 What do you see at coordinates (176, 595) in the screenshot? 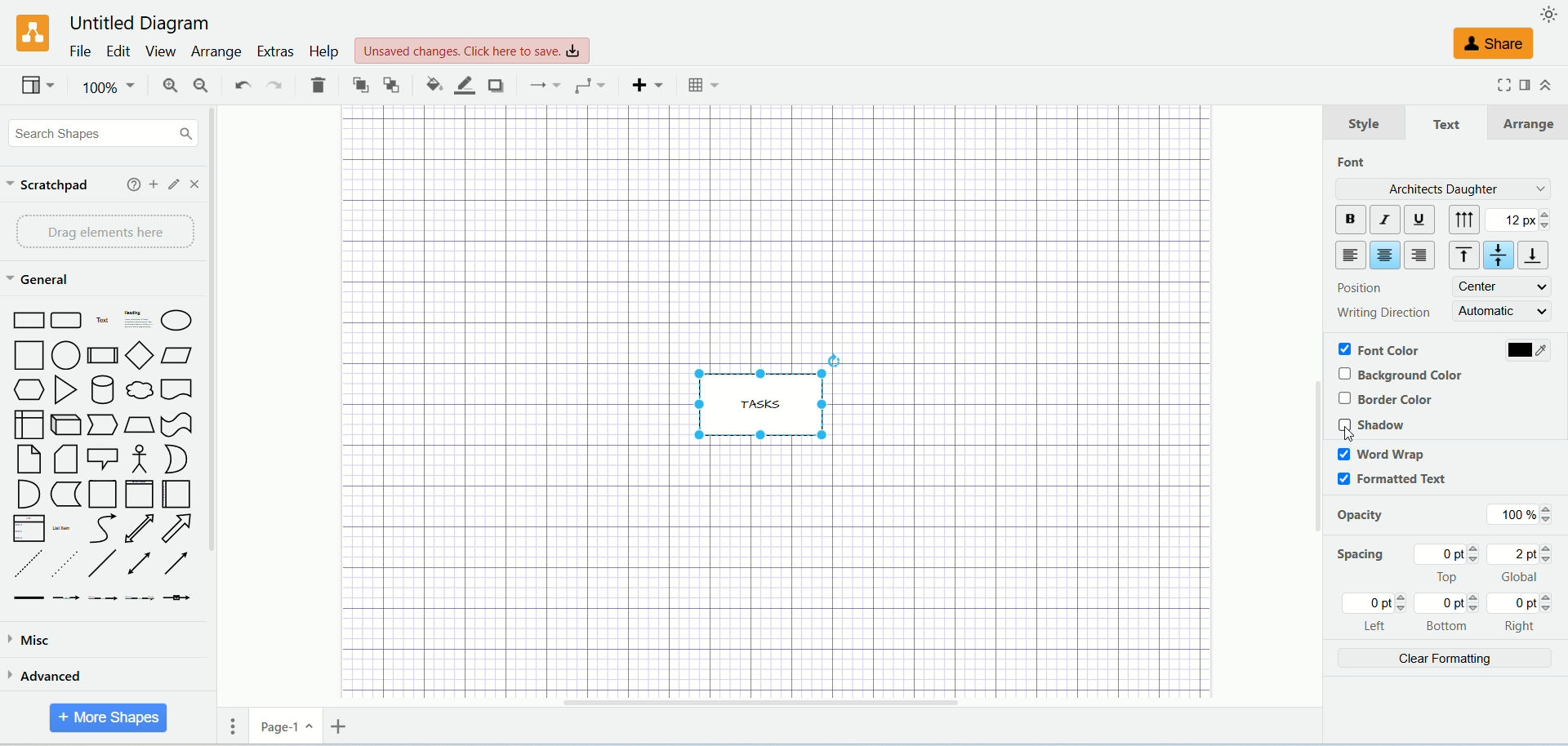
I see `Connector with symbol` at bounding box center [176, 595].